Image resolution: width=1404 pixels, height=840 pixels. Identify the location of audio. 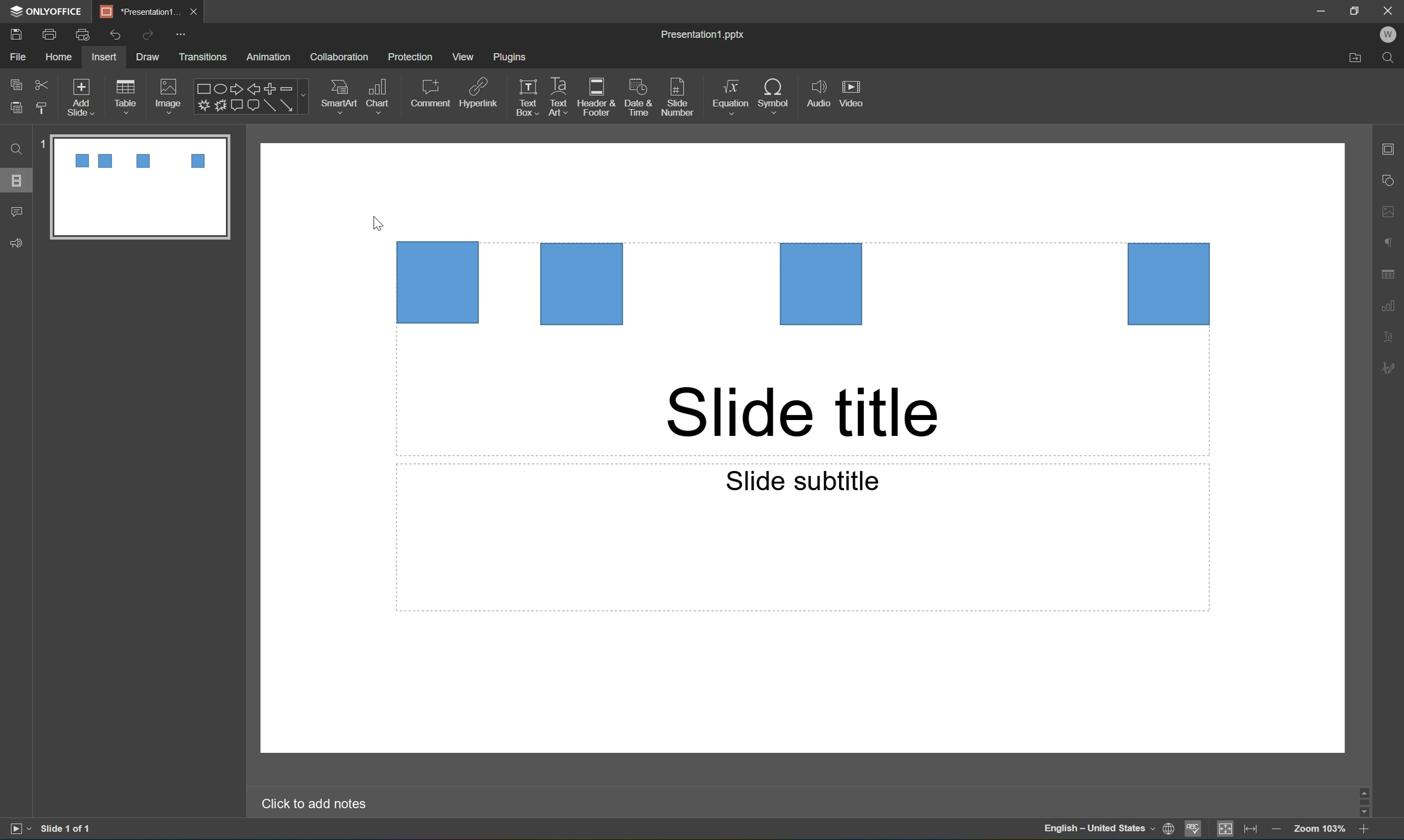
(816, 96).